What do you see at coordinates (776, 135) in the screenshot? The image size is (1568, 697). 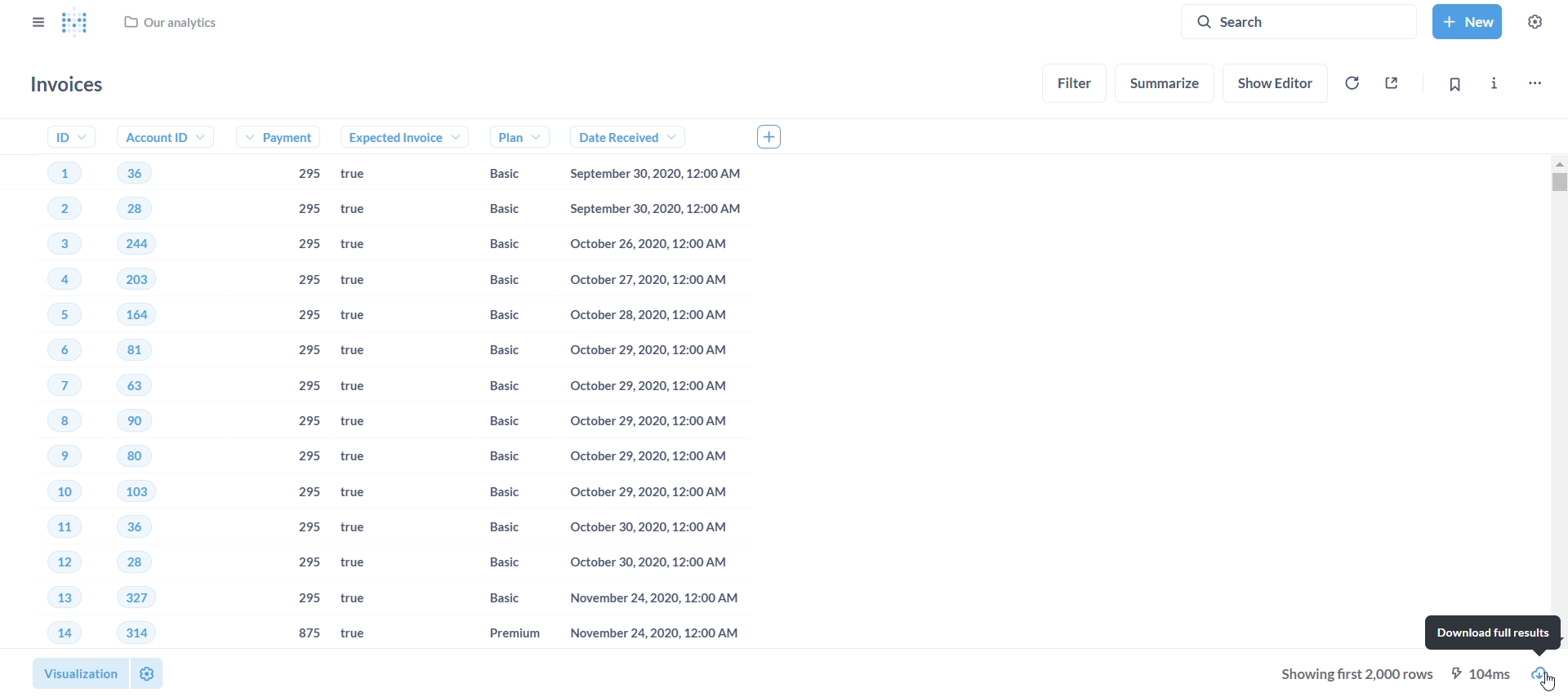 I see `add column` at bounding box center [776, 135].